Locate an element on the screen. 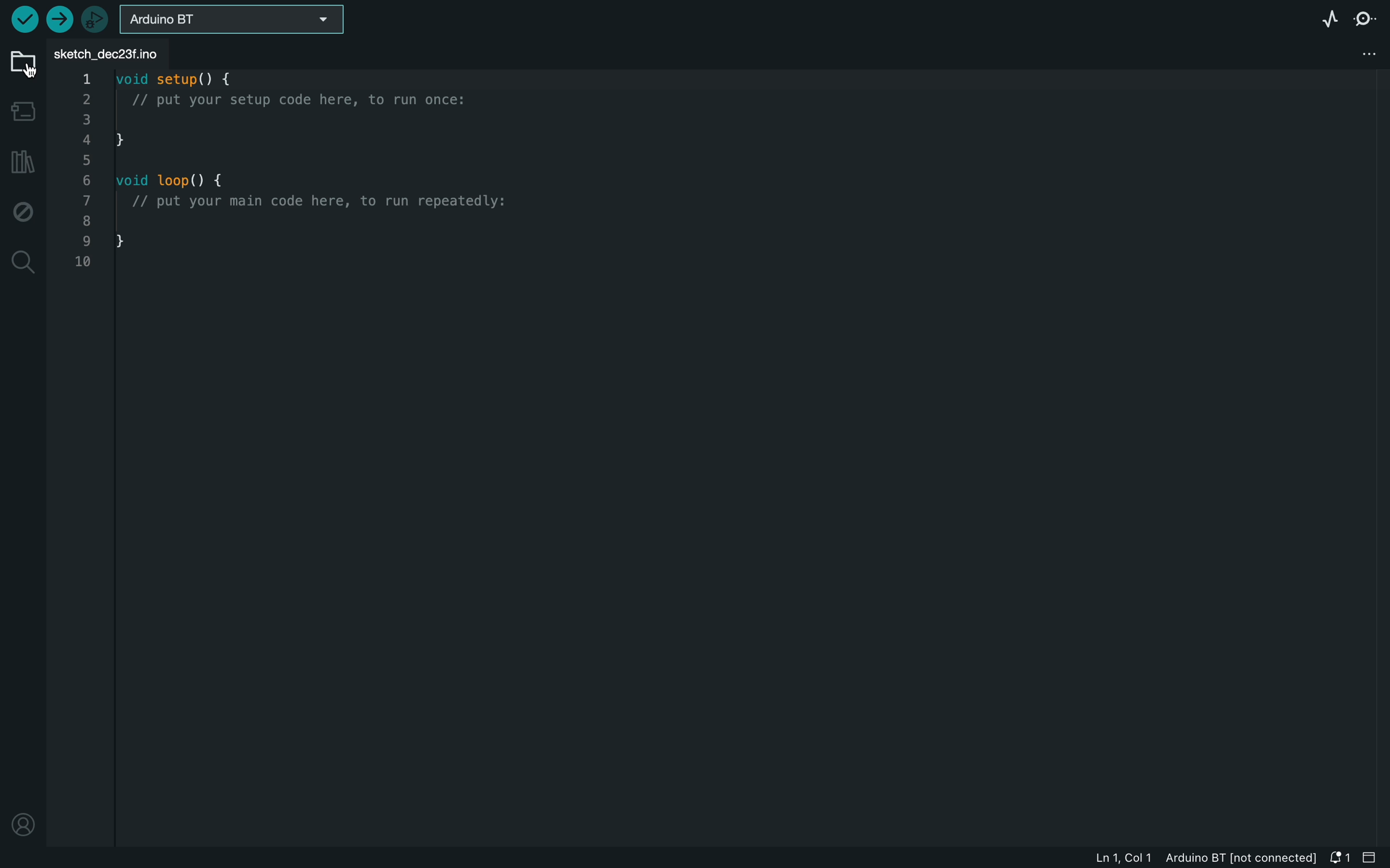  profile is located at coordinates (22, 823).